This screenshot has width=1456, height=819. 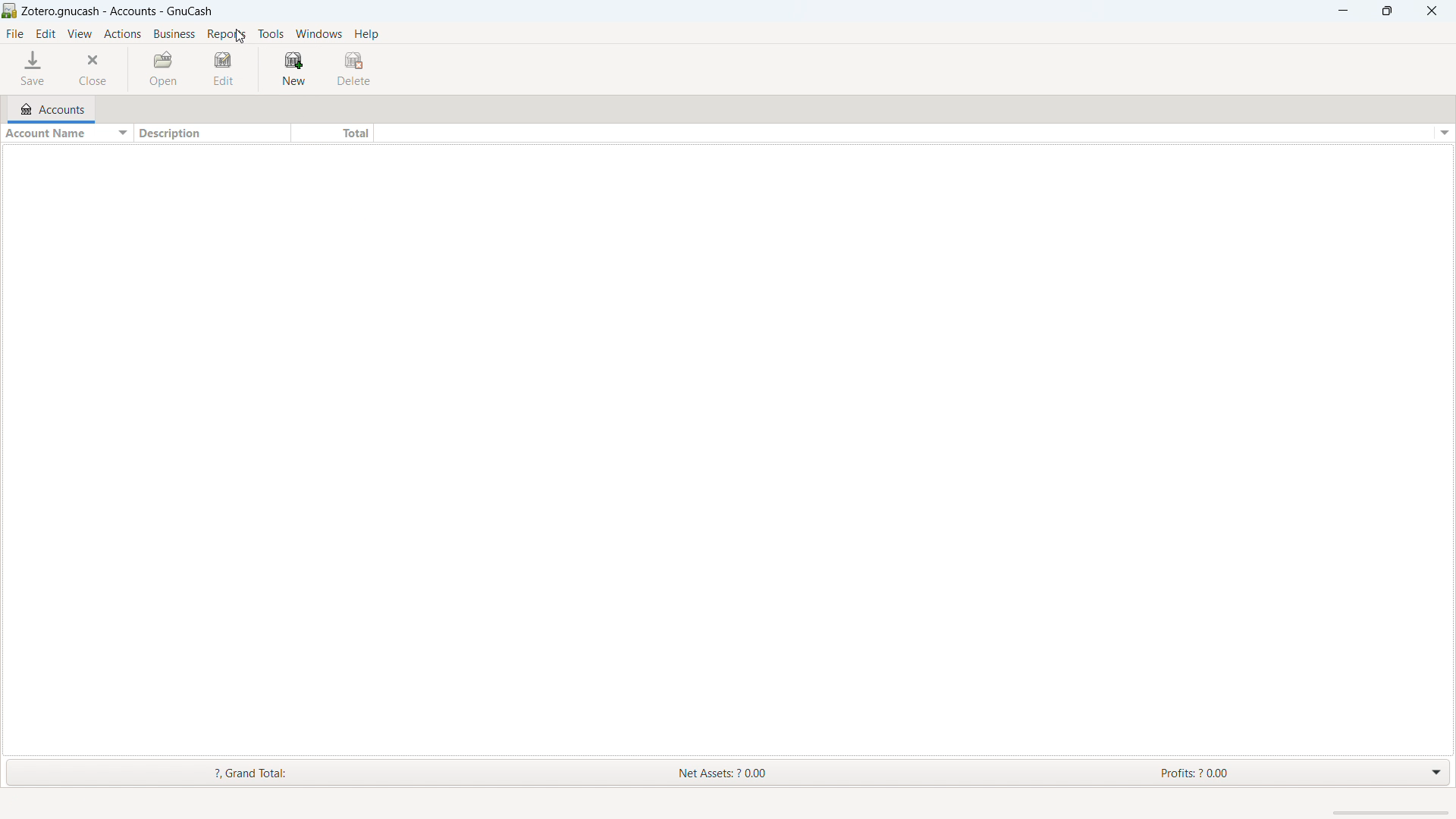 What do you see at coordinates (174, 33) in the screenshot?
I see `business` at bounding box center [174, 33].